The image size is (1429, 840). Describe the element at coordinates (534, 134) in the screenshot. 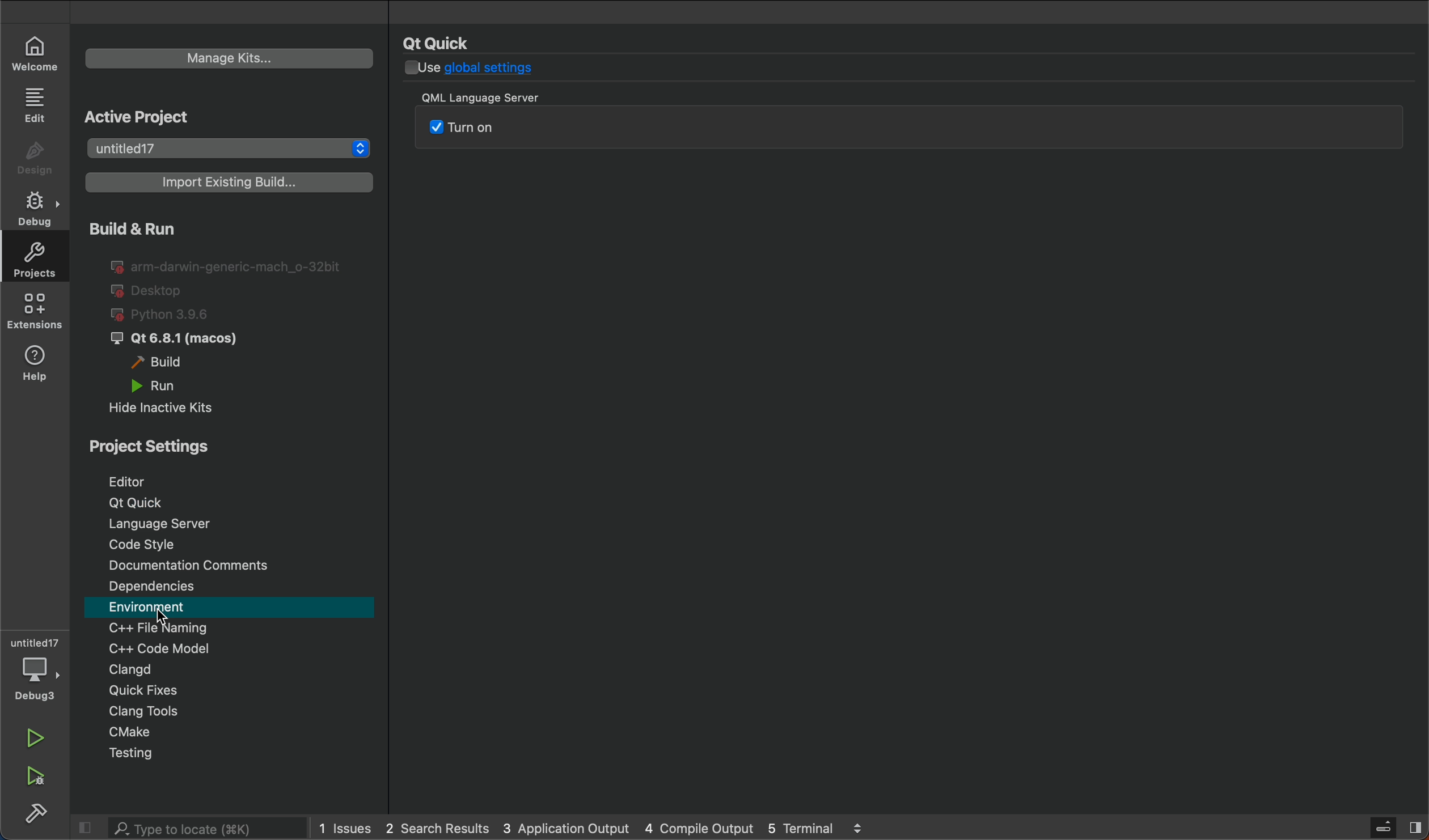

I see `QML server` at that location.